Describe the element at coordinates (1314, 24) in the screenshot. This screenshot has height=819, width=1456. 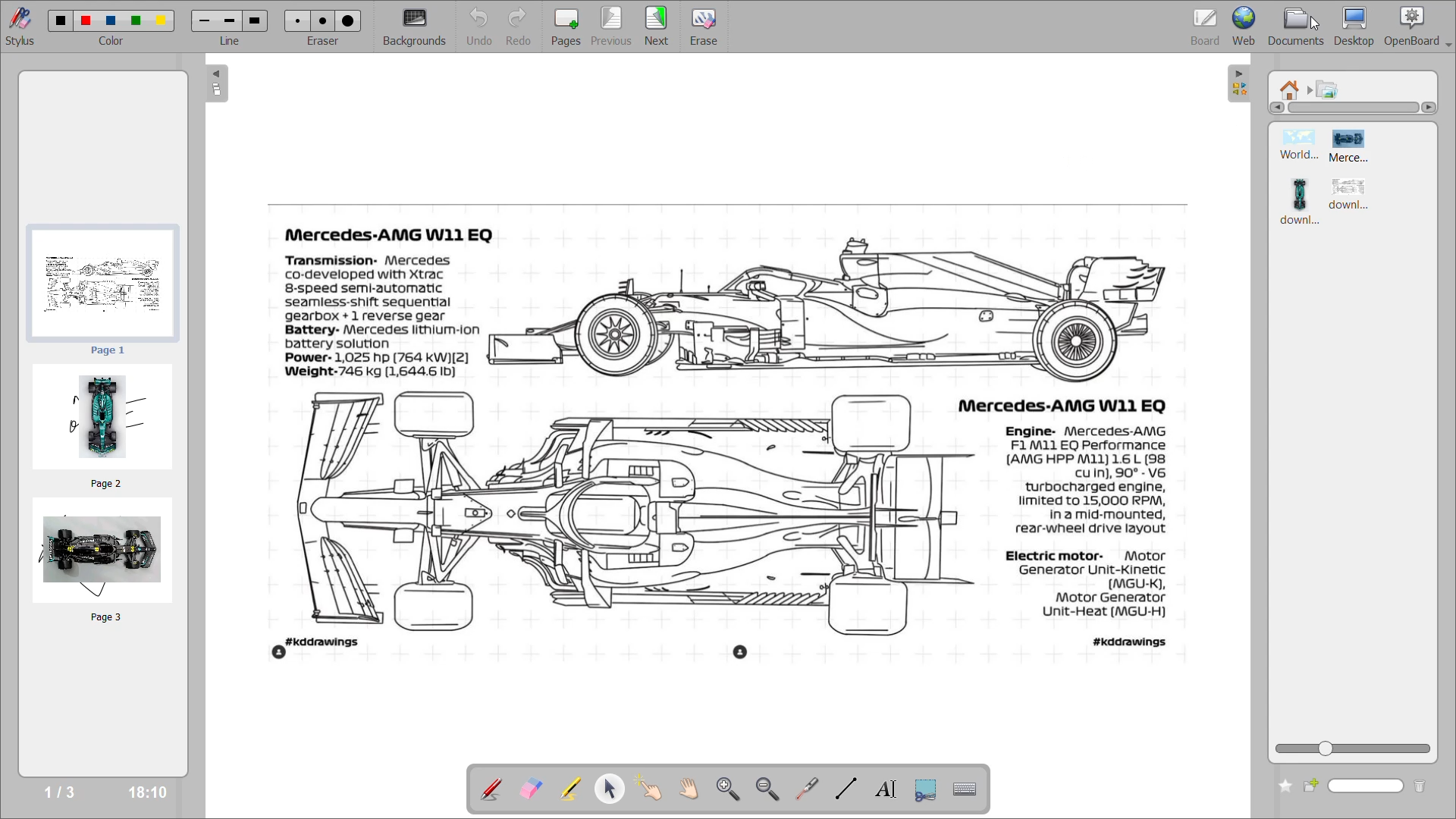
I see `cursor` at that location.